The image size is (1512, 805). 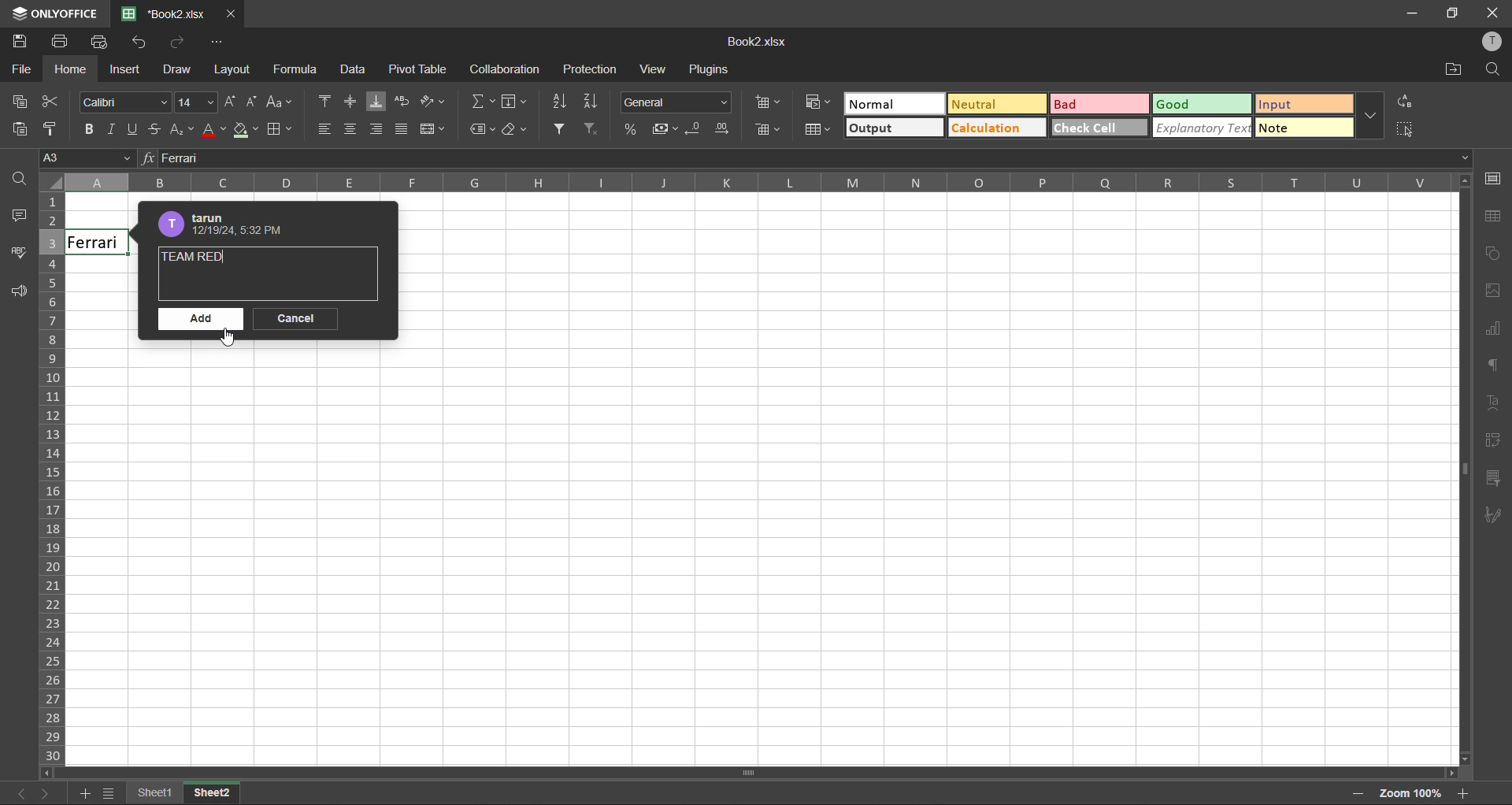 I want to click on justified, so click(x=404, y=129).